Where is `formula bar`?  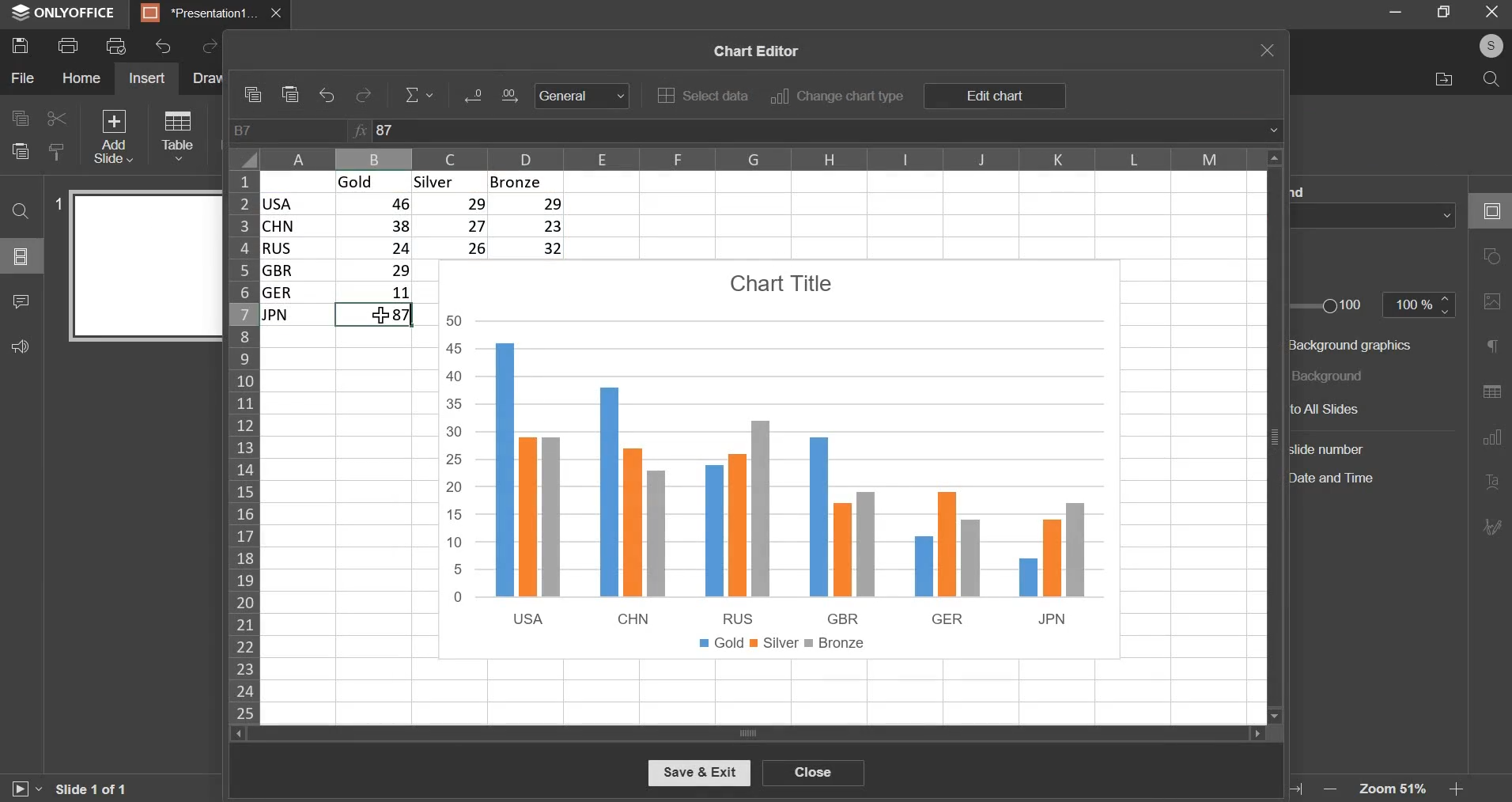
formula bar is located at coordinates (815, 131).